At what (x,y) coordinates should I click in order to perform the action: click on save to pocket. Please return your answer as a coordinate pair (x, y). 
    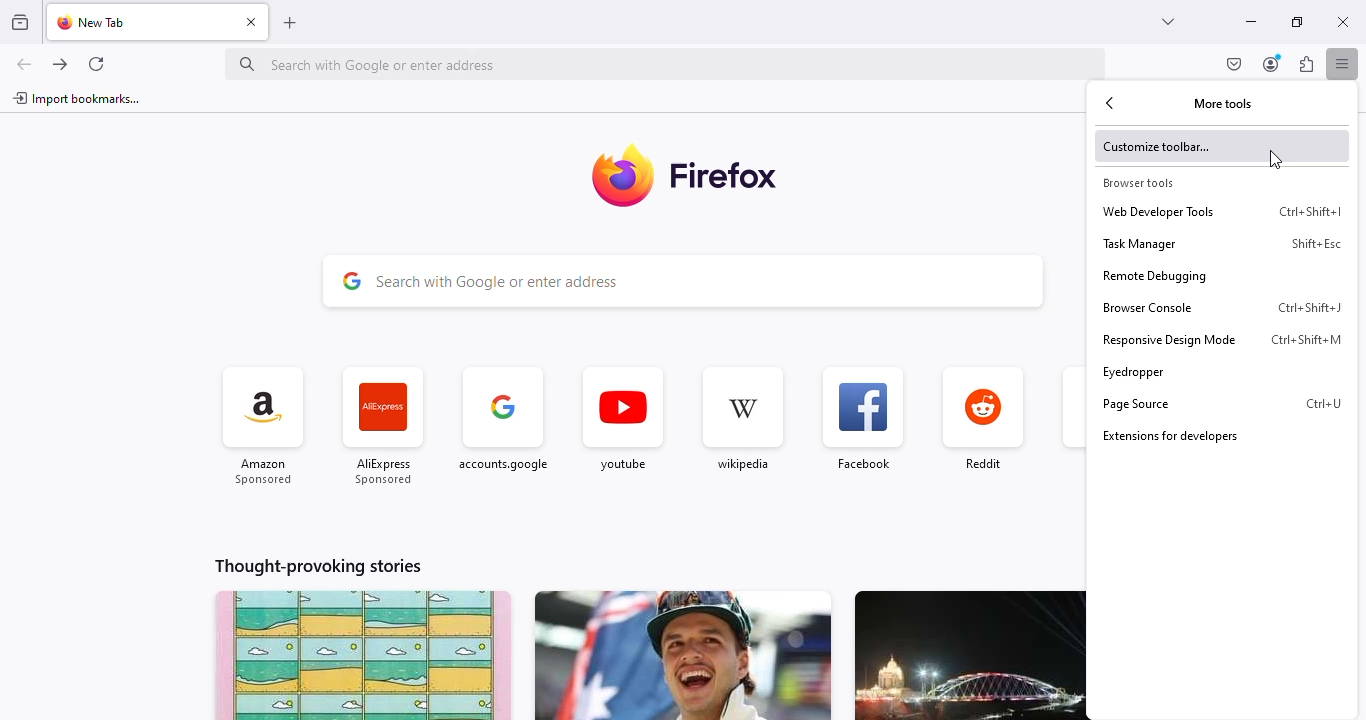
    Looking at the image, I should click on (1235, 64).